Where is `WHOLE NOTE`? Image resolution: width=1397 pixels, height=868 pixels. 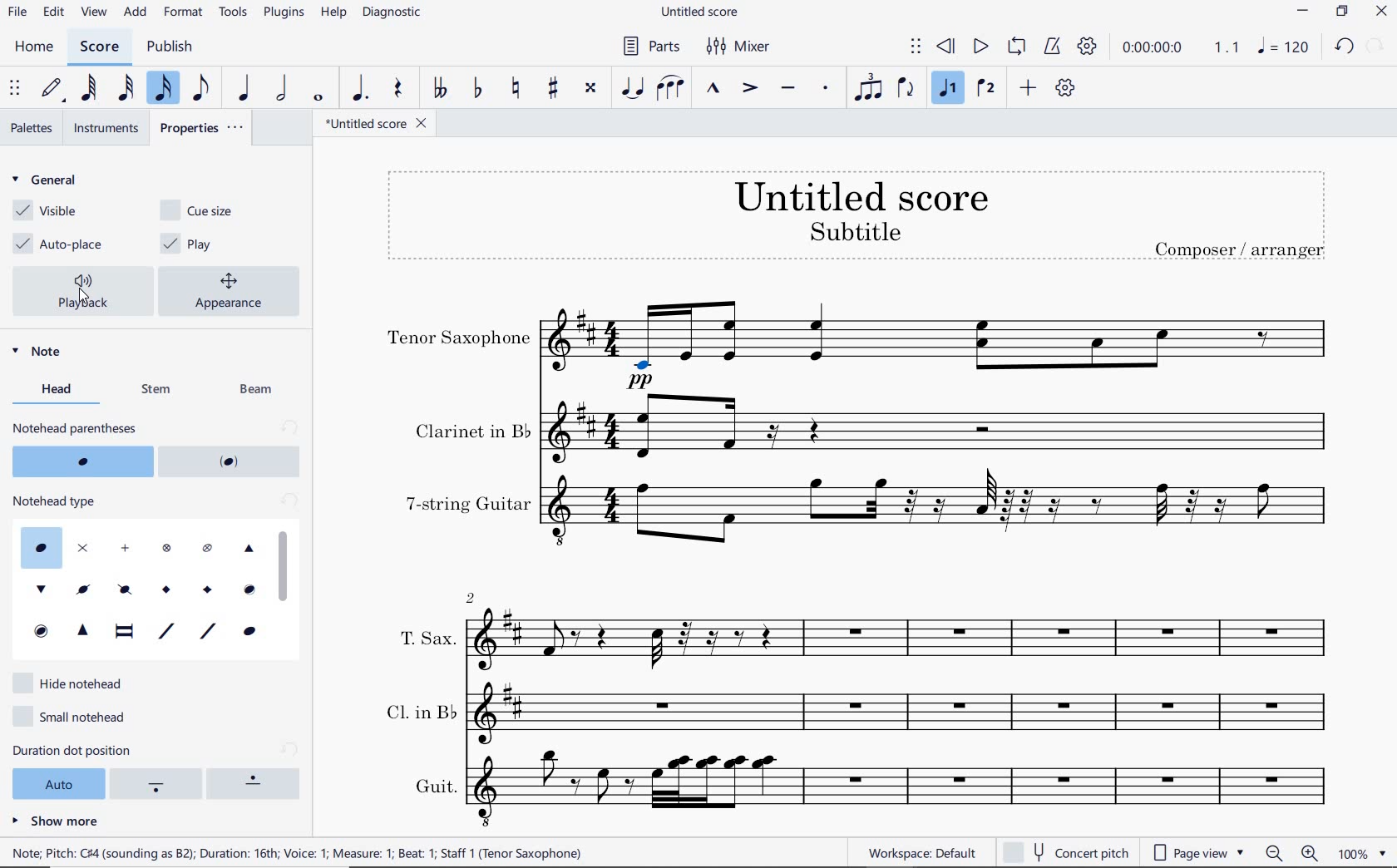 WHOLE NOTE is located at coordinates (321, 96).